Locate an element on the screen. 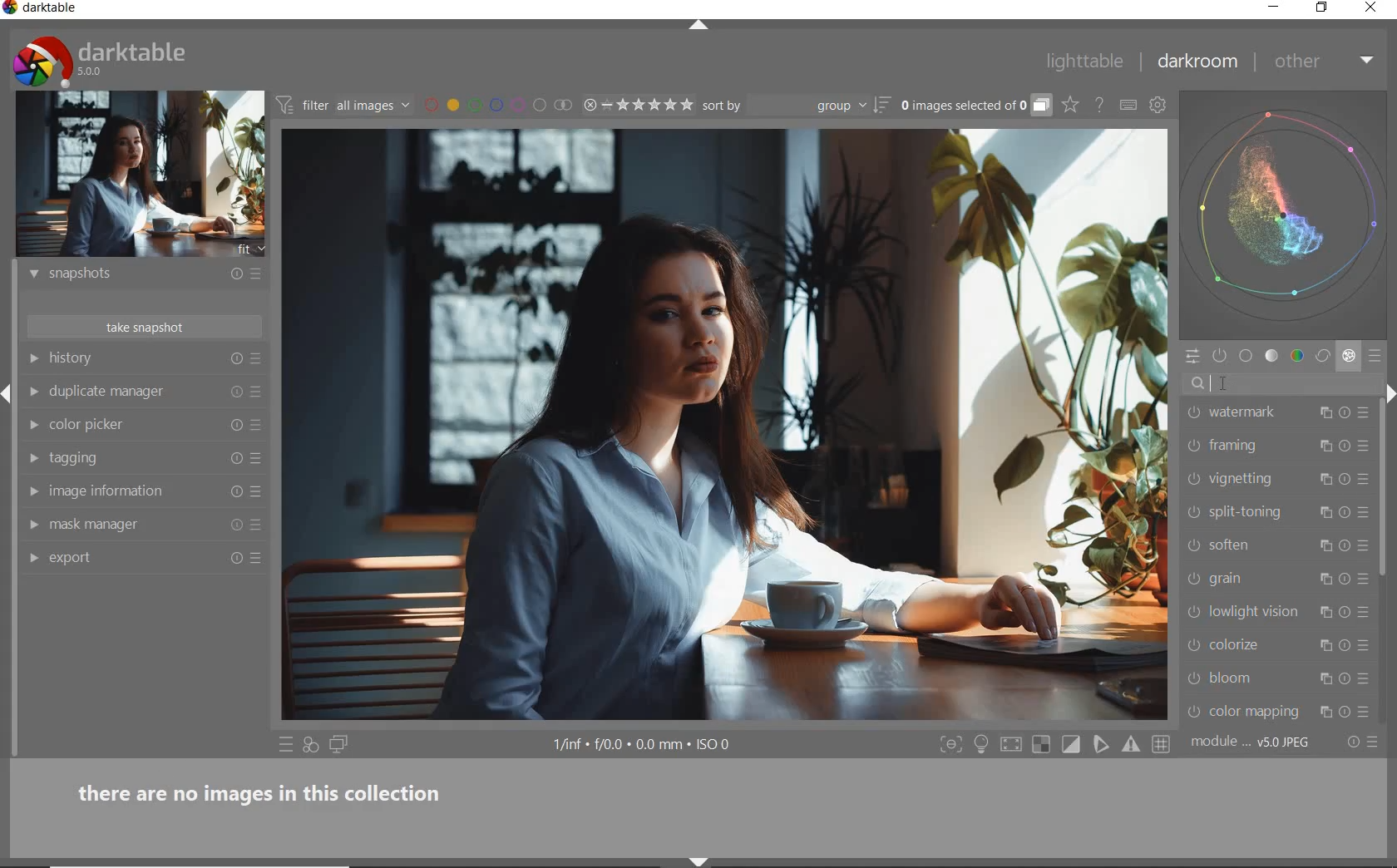  quick access for applying any of your styles is located at coordinates (312, 746).